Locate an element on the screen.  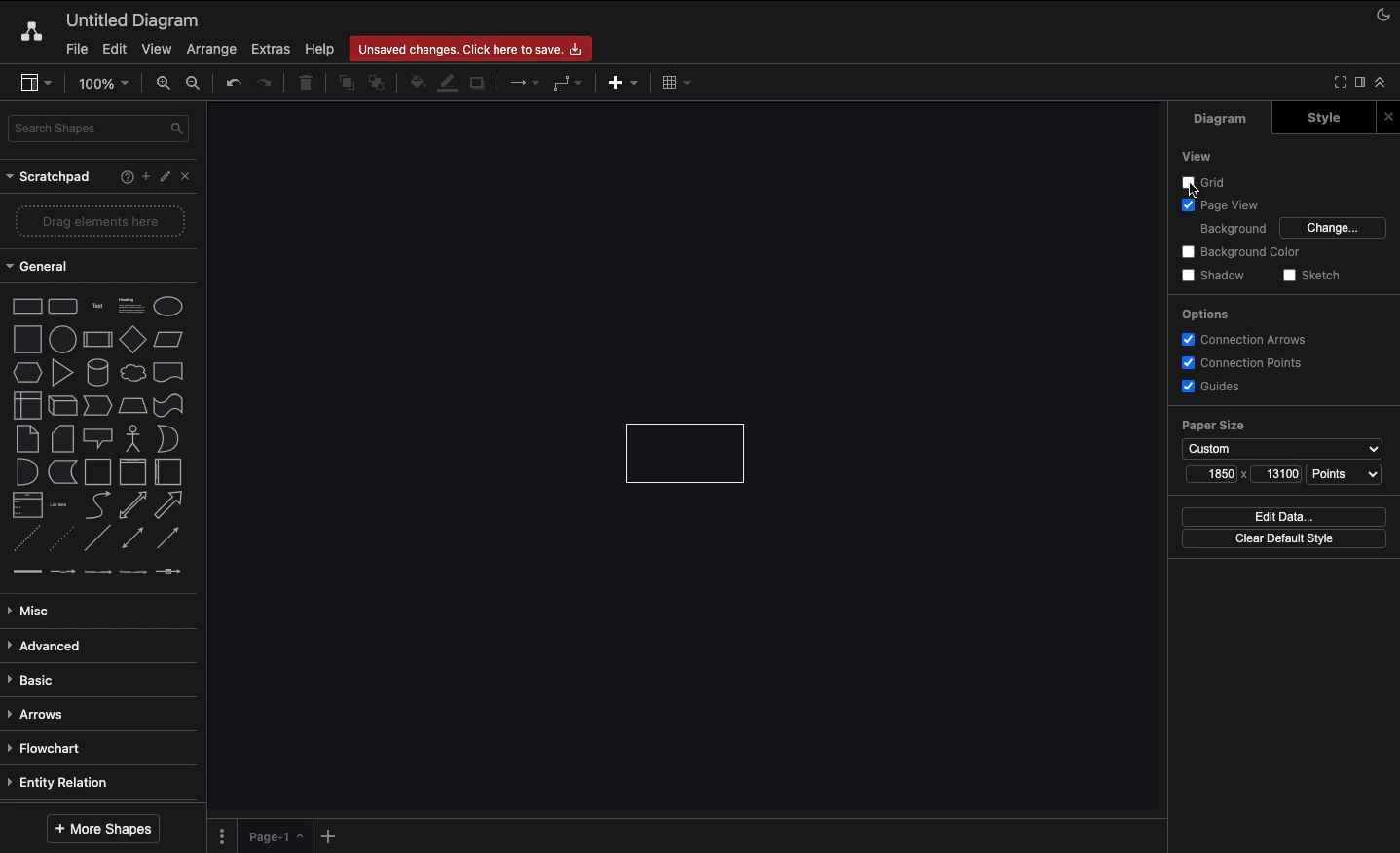
Help is located at coordinates (121, 179).